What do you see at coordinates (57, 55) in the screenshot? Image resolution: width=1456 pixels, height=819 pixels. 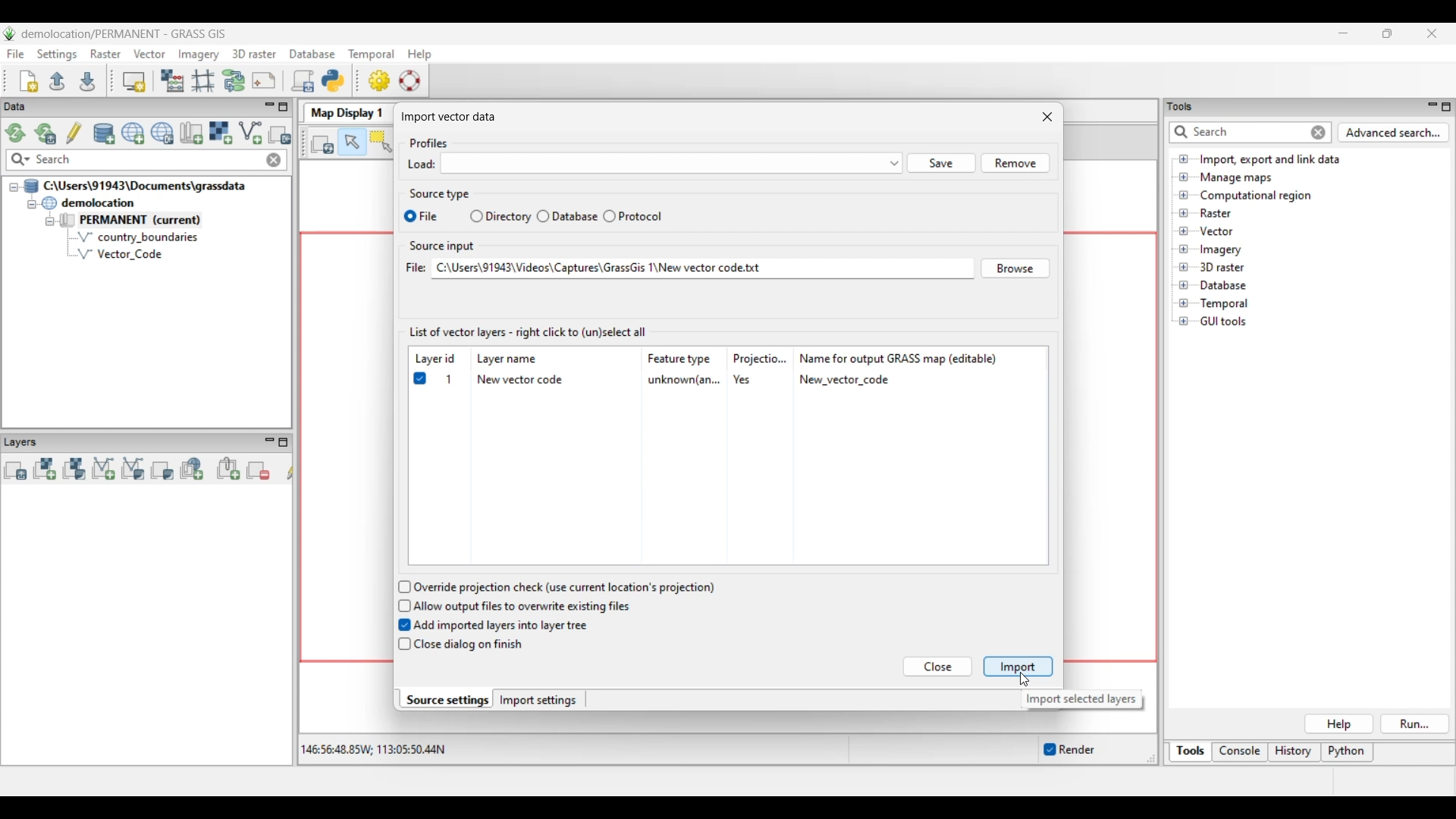 I see `Settings menu` at bounding box center [57, 55].